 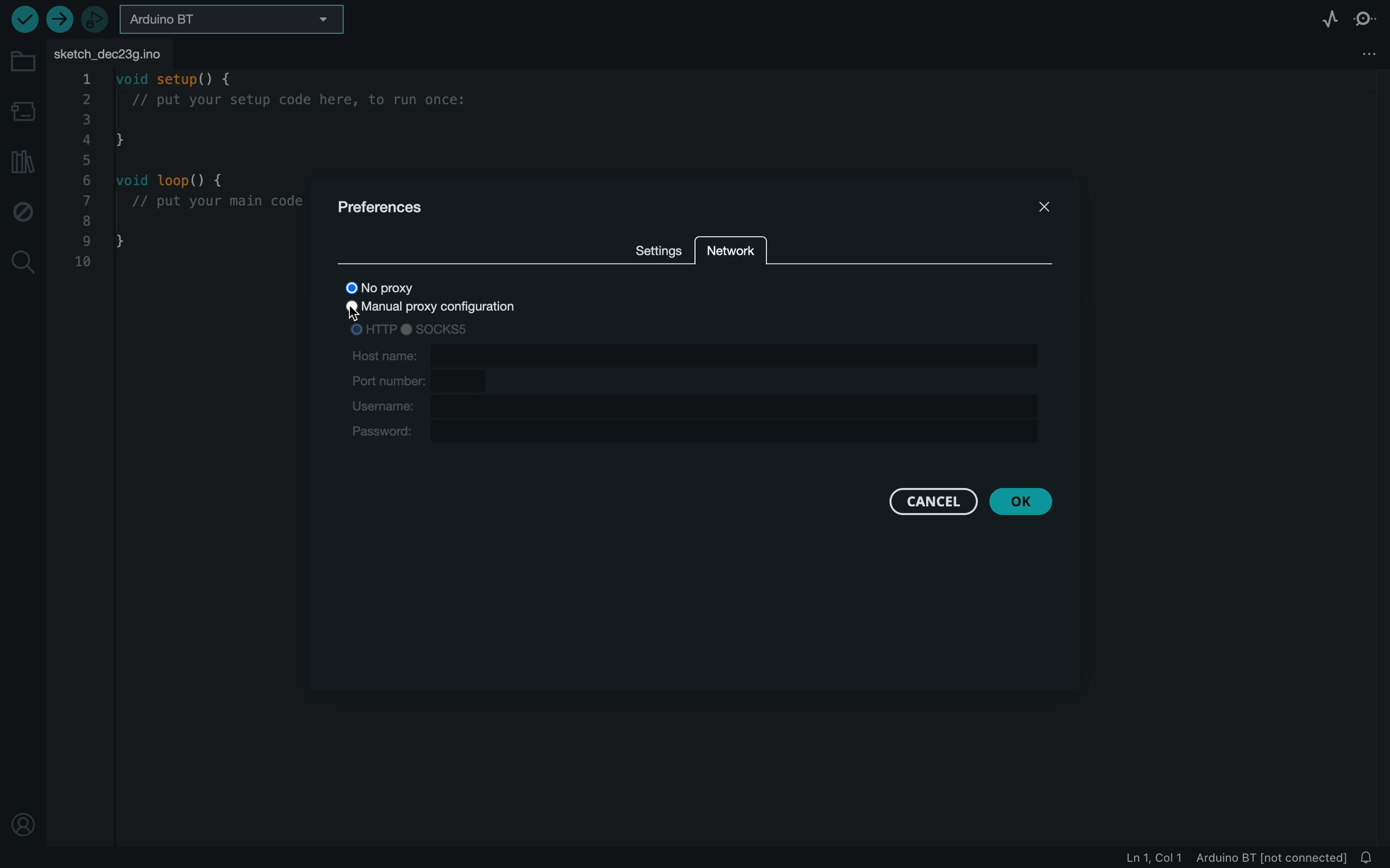 I want to click on cursor, so click(x=360, y=309).